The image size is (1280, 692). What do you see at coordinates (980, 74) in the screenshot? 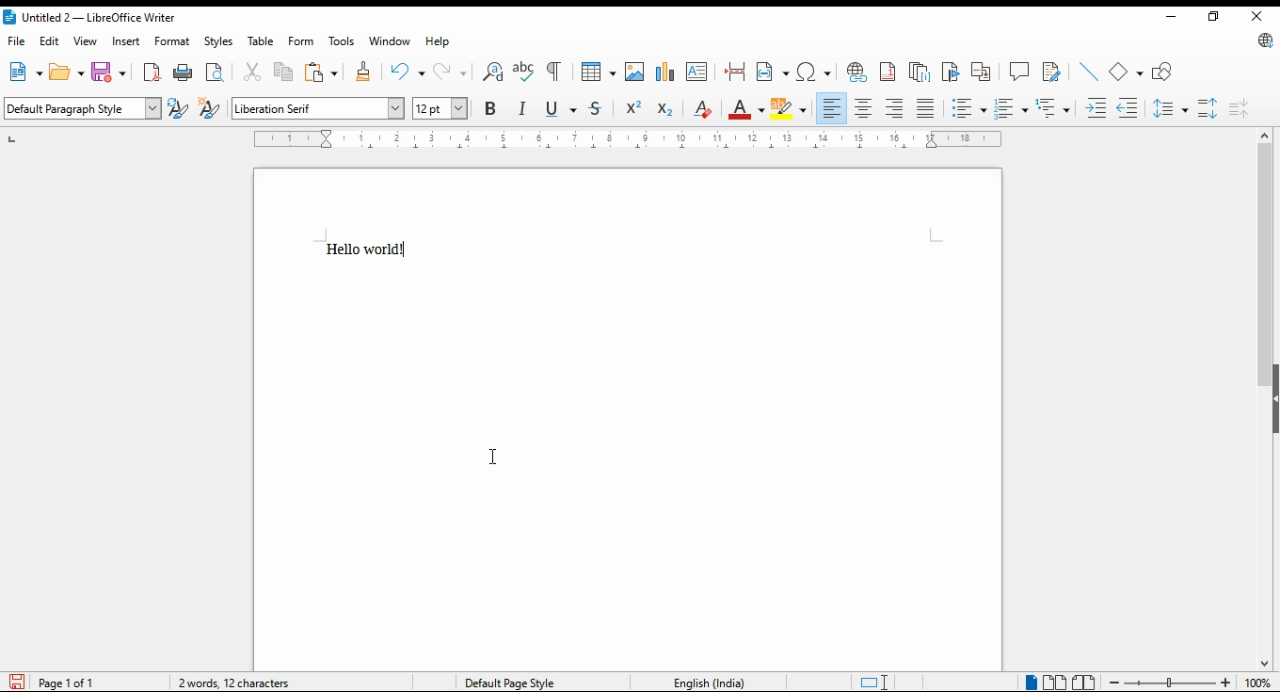
I see `insert cross-refrence` at bounding box center [980, 74].